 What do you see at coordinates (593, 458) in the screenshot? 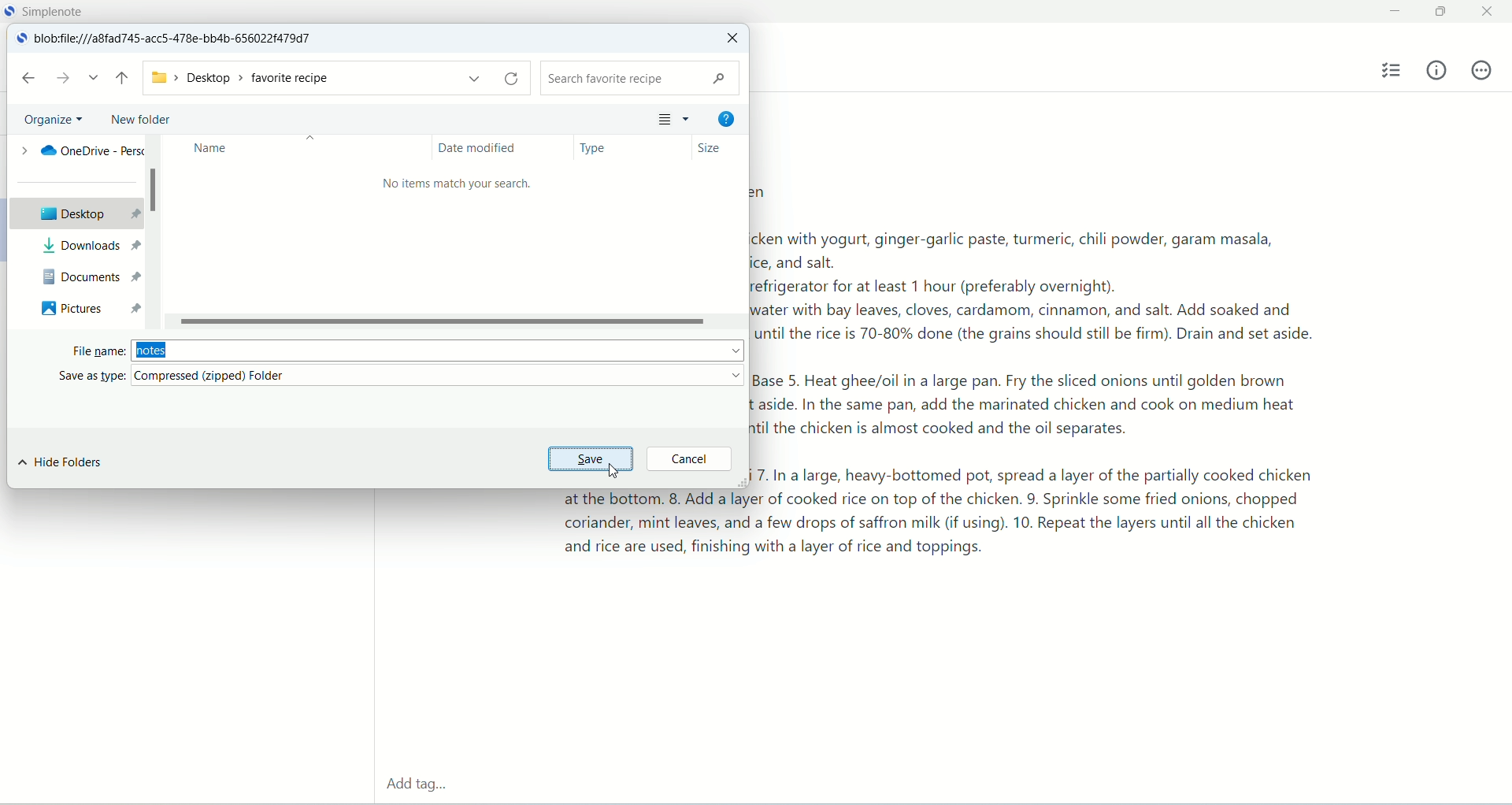
I see `save` at bounding box center [593, 458].